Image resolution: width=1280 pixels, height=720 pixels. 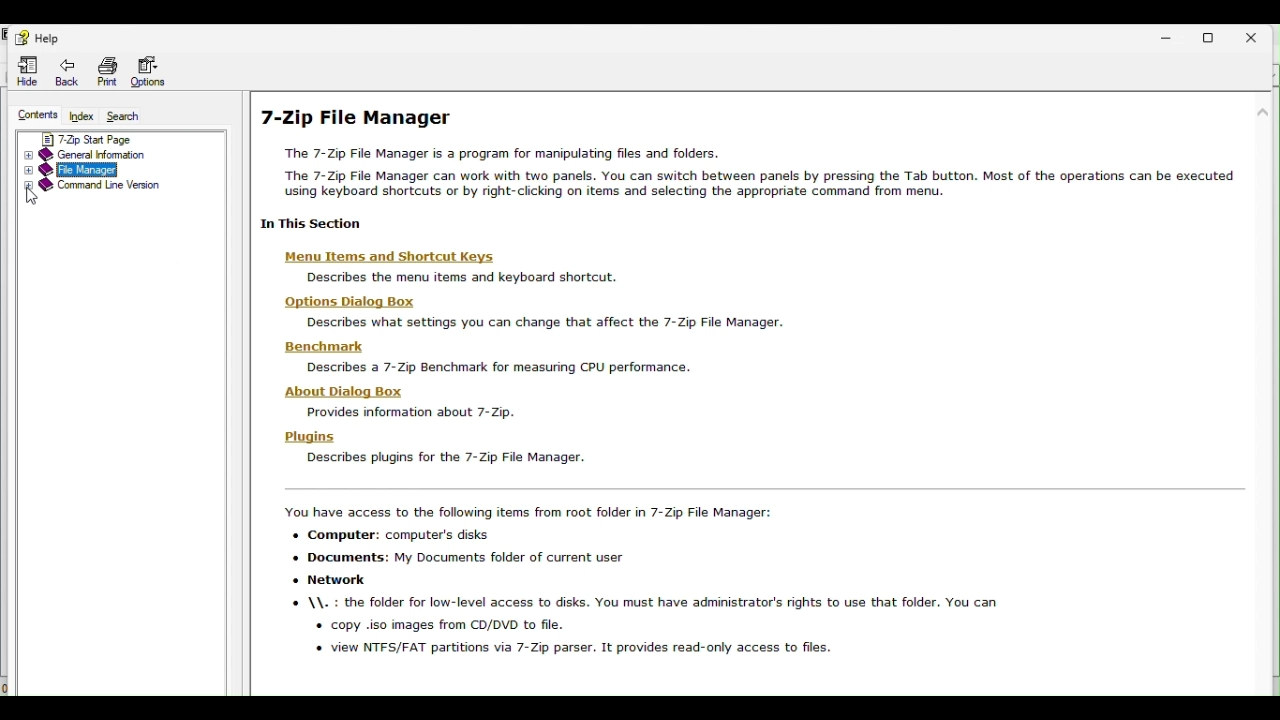 What do you see at coordinates (105, 70) in the screenshot?
I see `print` at bounding box center [105, 70].